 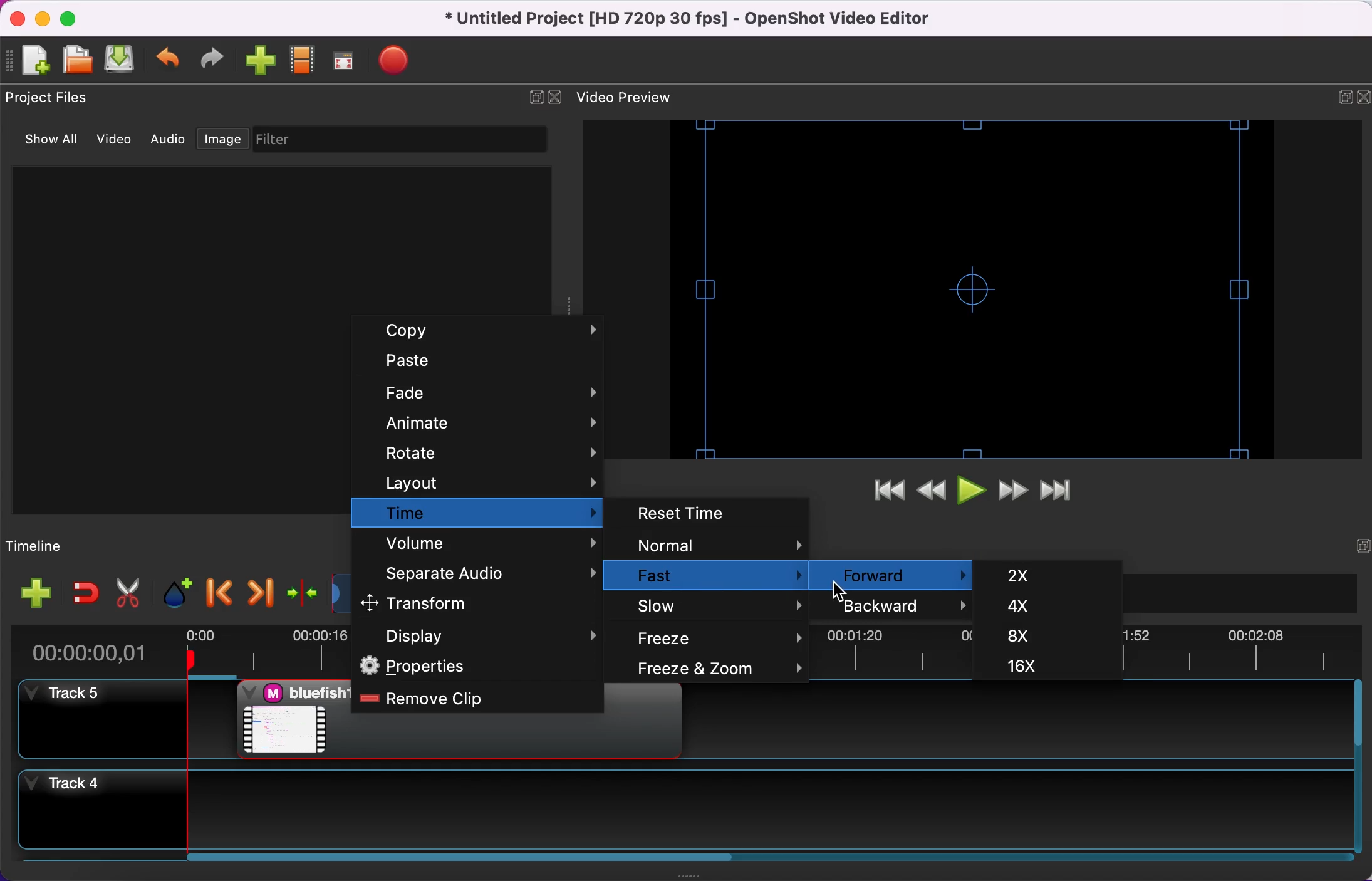 I want to click on track 4, so click(x=689, y=813).